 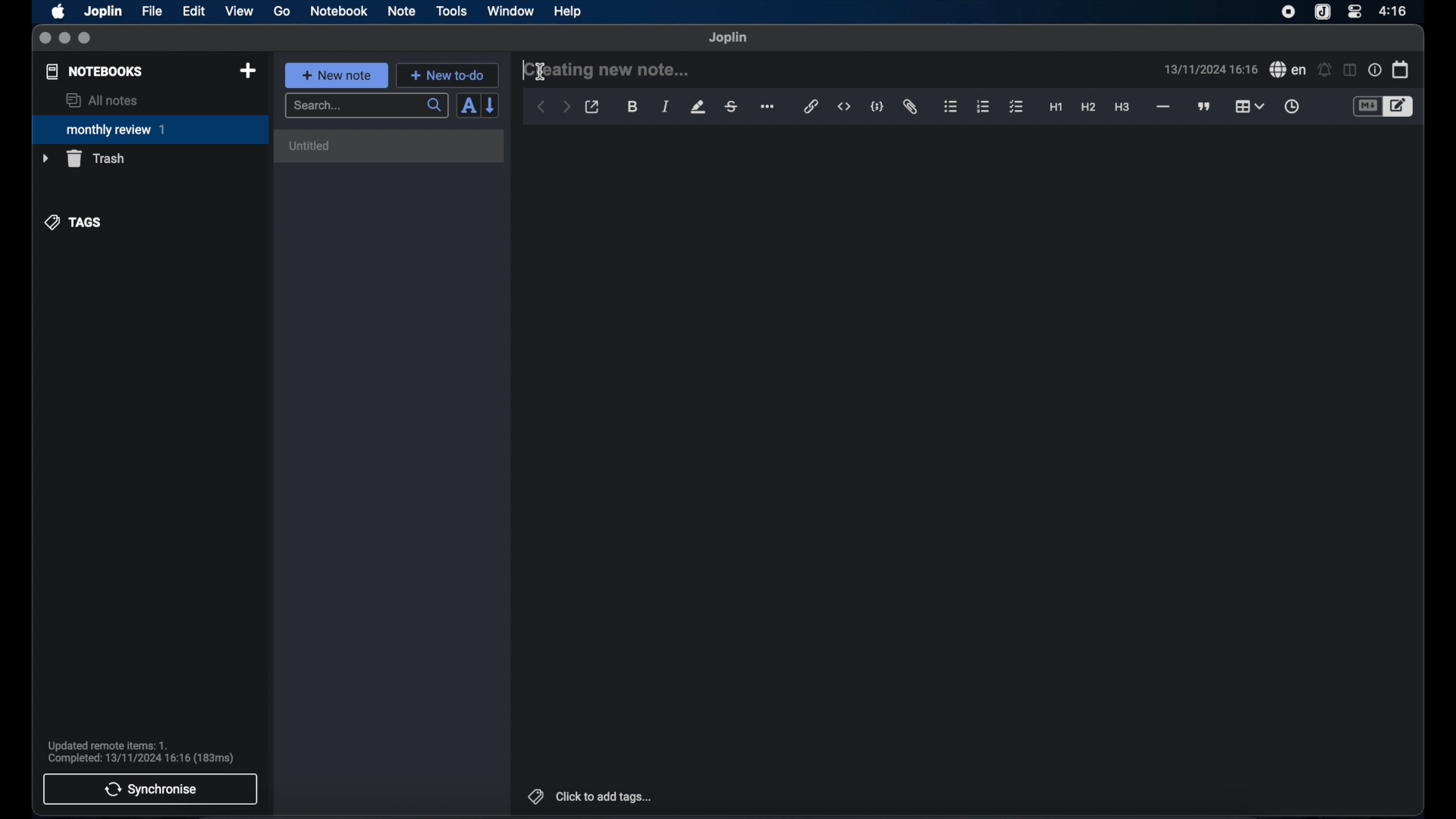 What do you see at coordinates (1375, 71) in the screenshot?
I see `note properties` at bounding box center [1375, 71].